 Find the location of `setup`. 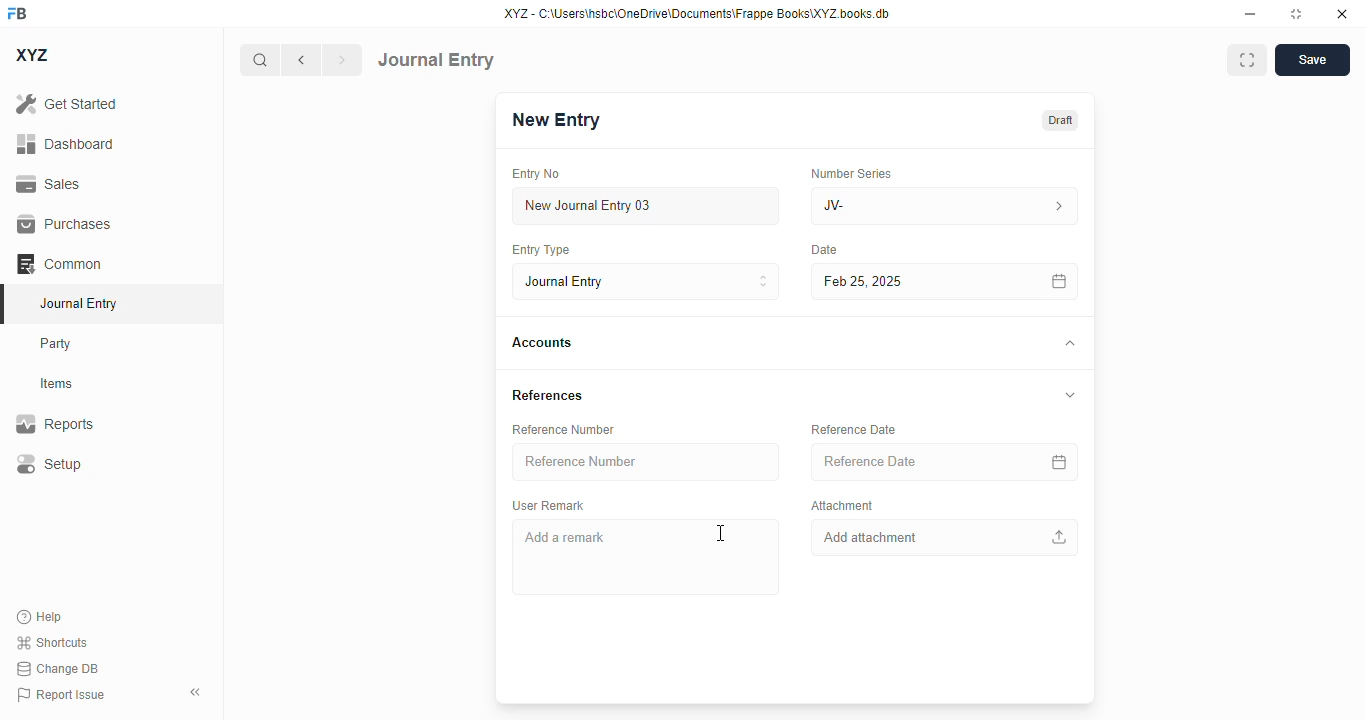

setup is located at coordinates (48, 463).